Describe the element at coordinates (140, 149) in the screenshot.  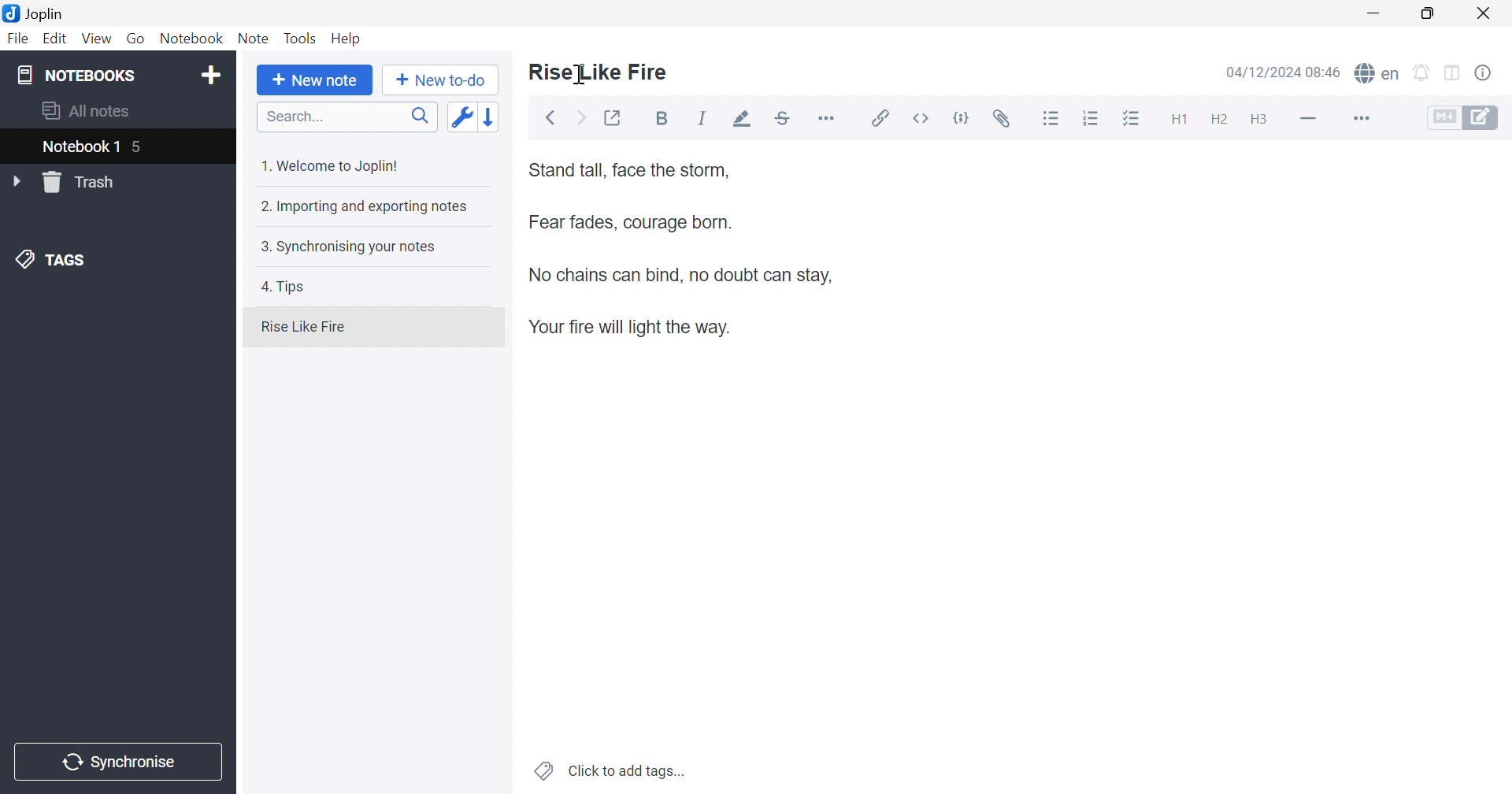
I see `5` at that location.